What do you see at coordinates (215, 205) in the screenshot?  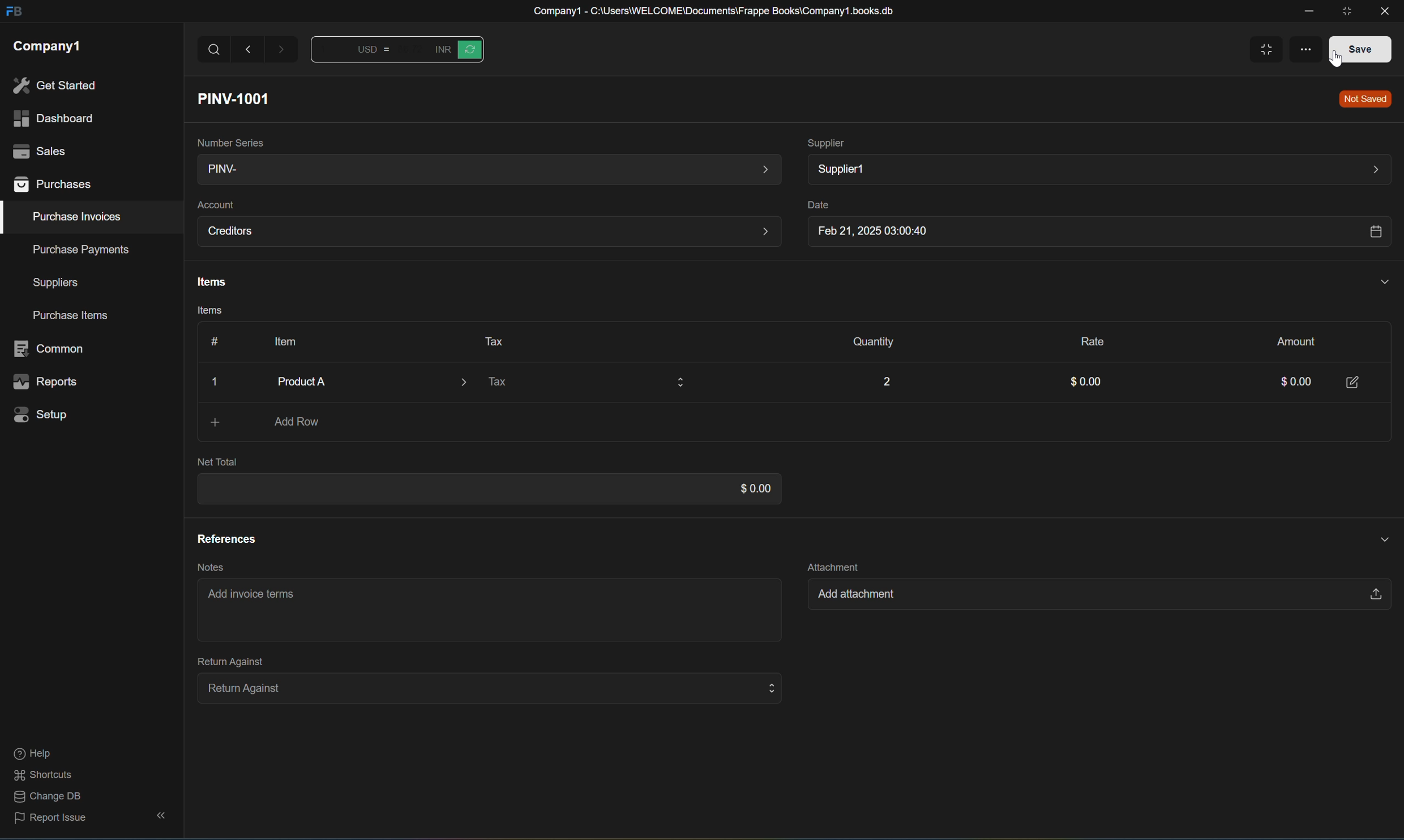 I see `Account` at bounding box center [215, 205].